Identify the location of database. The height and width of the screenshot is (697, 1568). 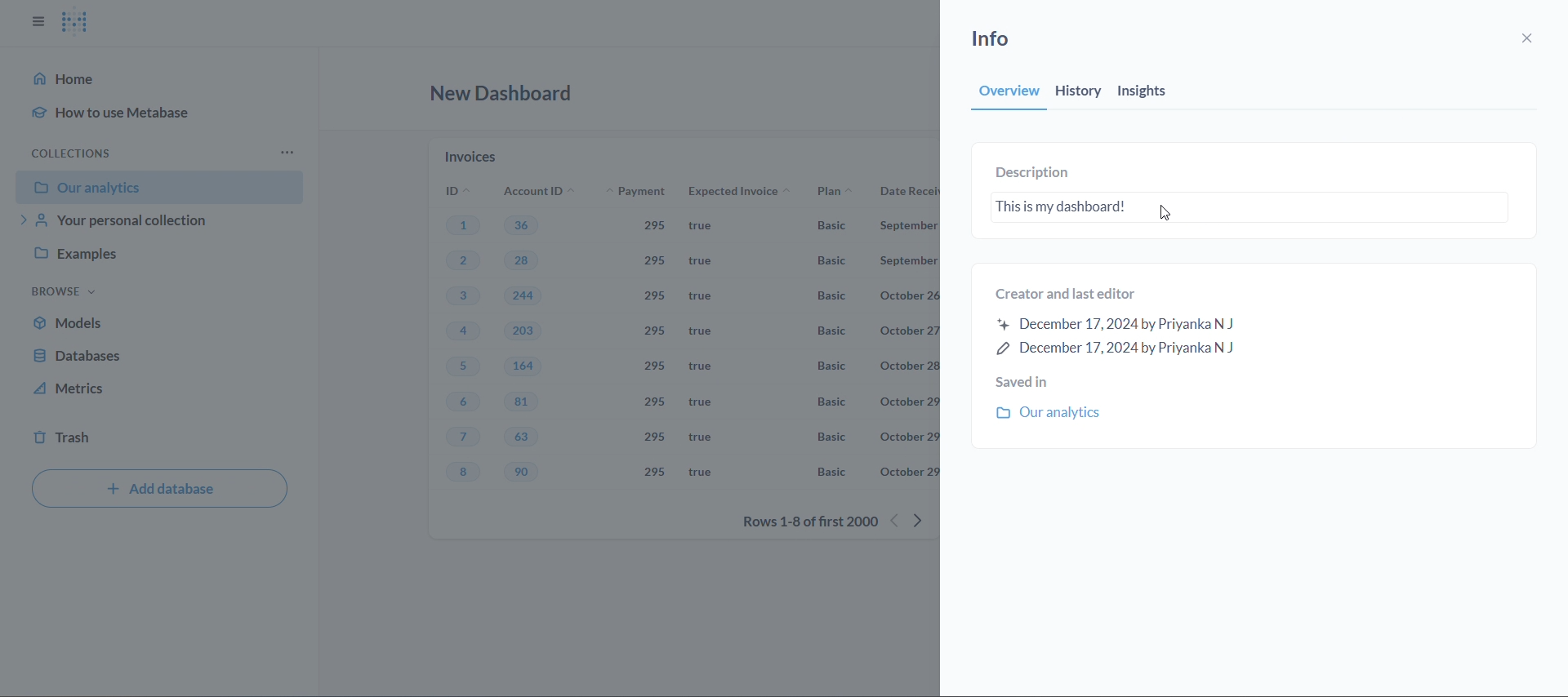
(159, 358).